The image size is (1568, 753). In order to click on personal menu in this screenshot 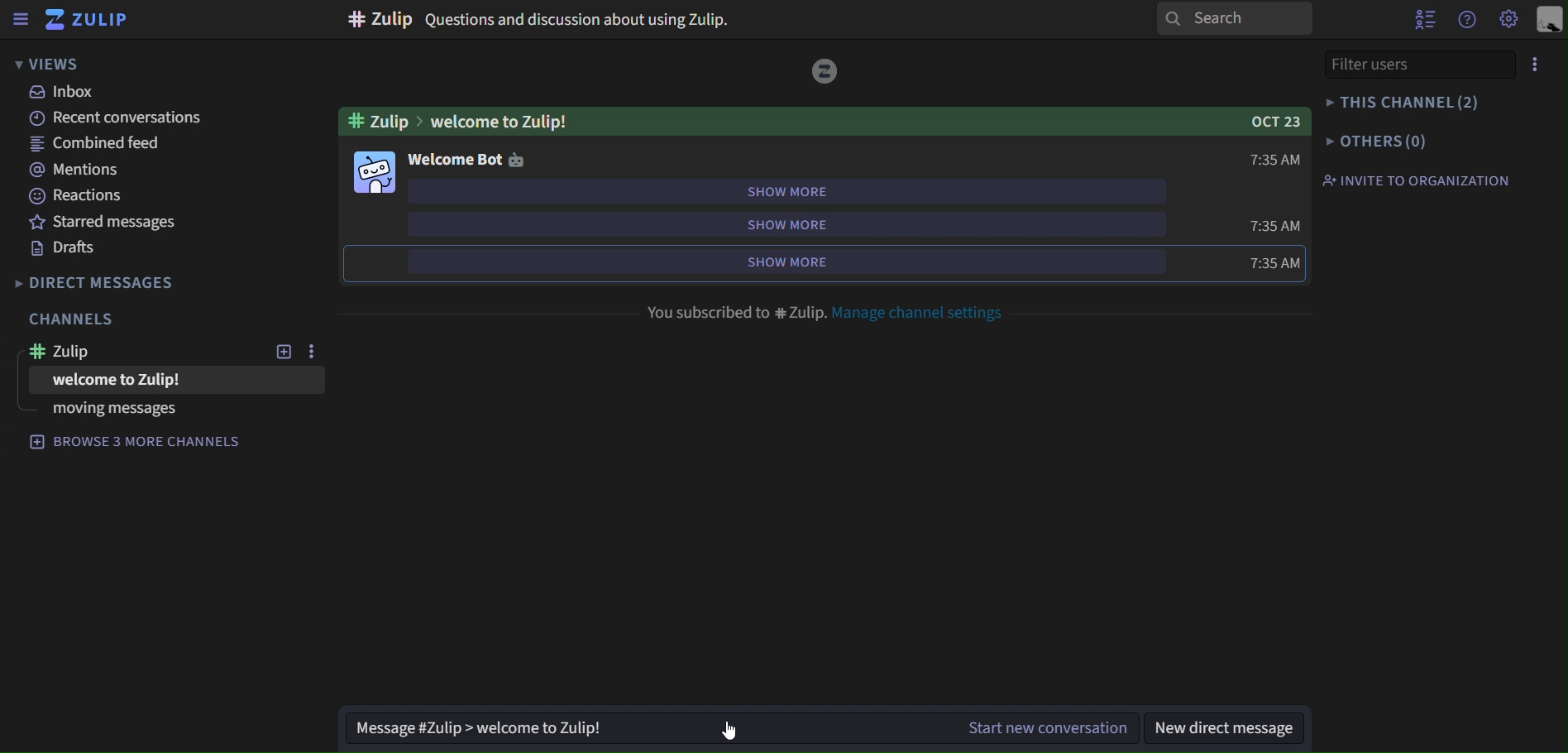, I will do `click(1552, 18)`.